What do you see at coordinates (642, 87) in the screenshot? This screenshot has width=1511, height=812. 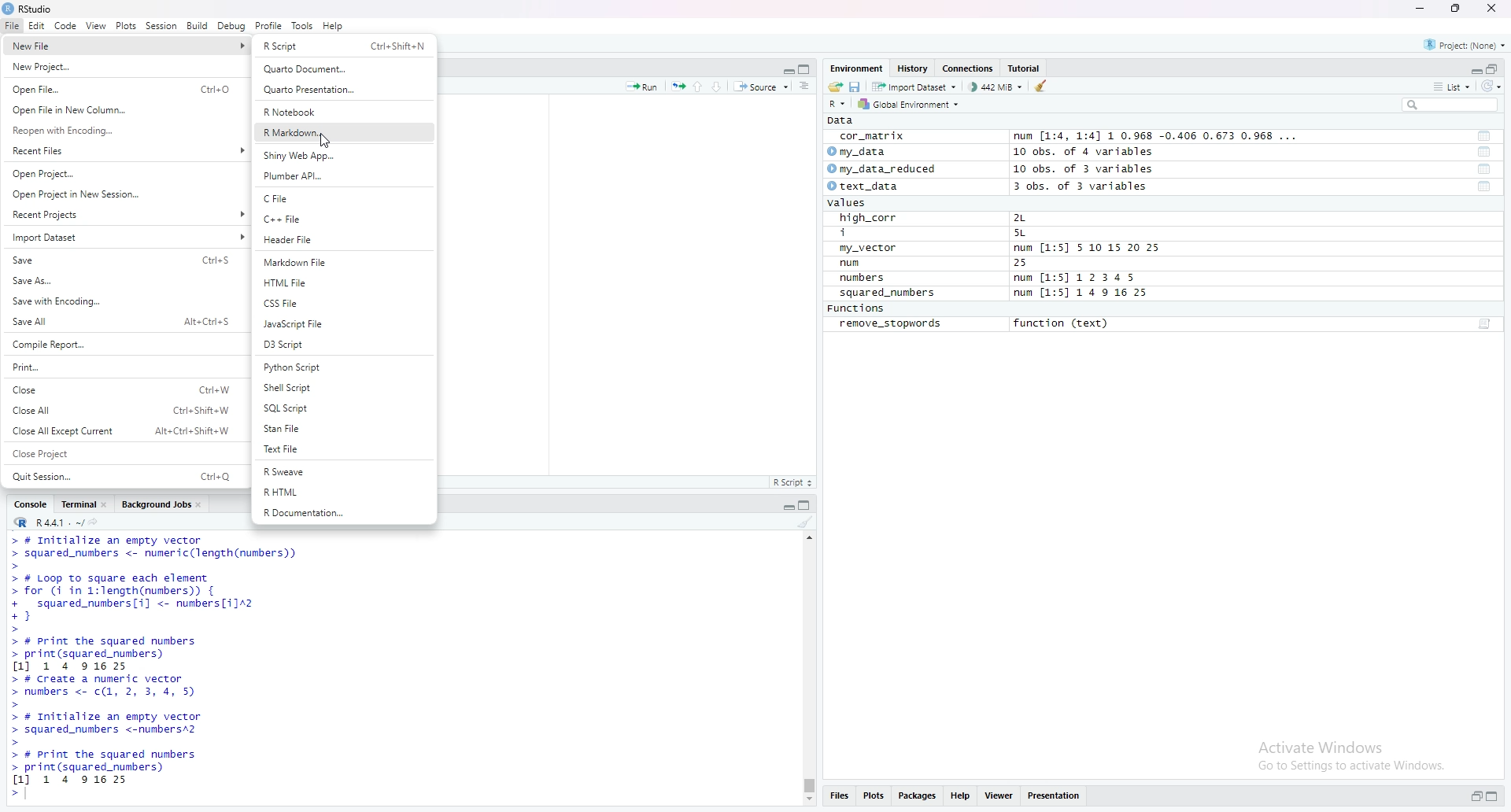 I see `Run` at bounding box center [642, 87].